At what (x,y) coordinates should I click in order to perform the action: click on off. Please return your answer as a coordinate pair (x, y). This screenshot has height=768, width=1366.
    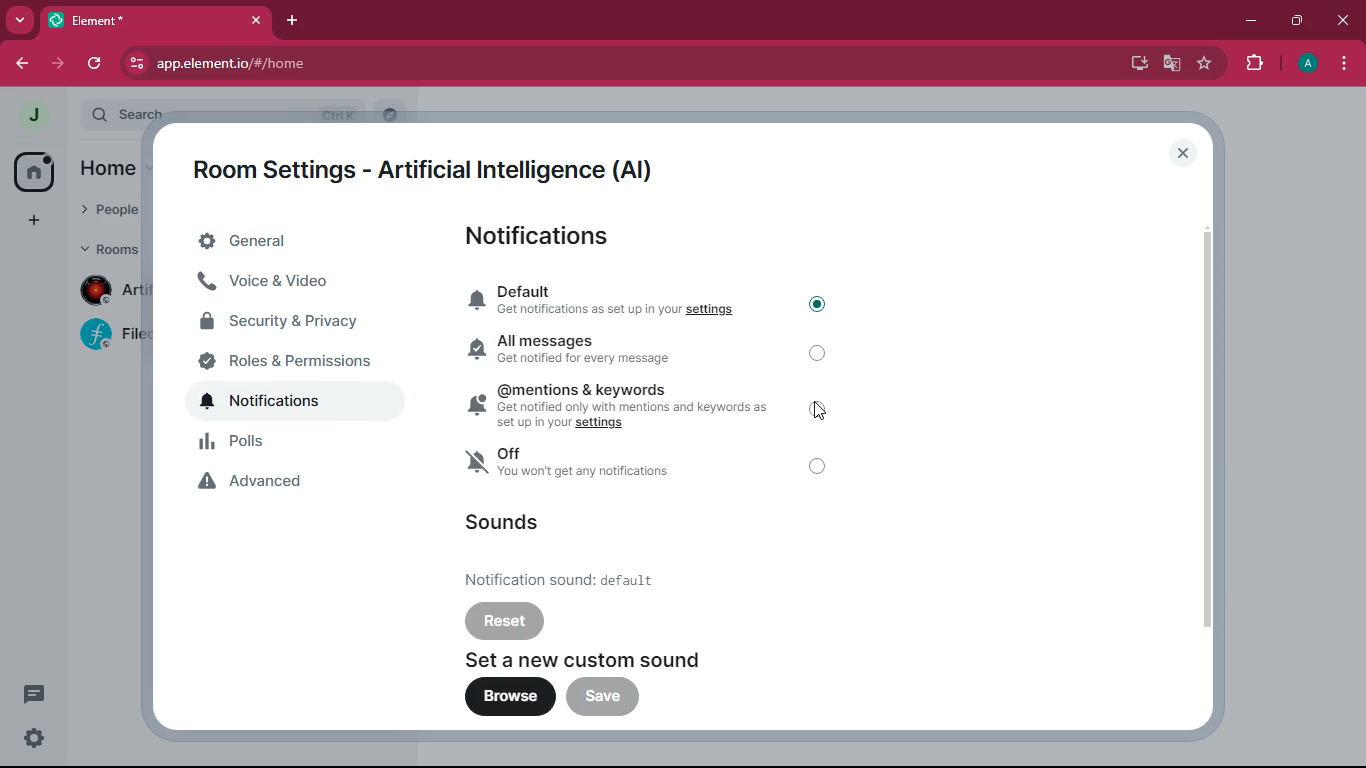
    Looking at the image, I should click on (611, 466).